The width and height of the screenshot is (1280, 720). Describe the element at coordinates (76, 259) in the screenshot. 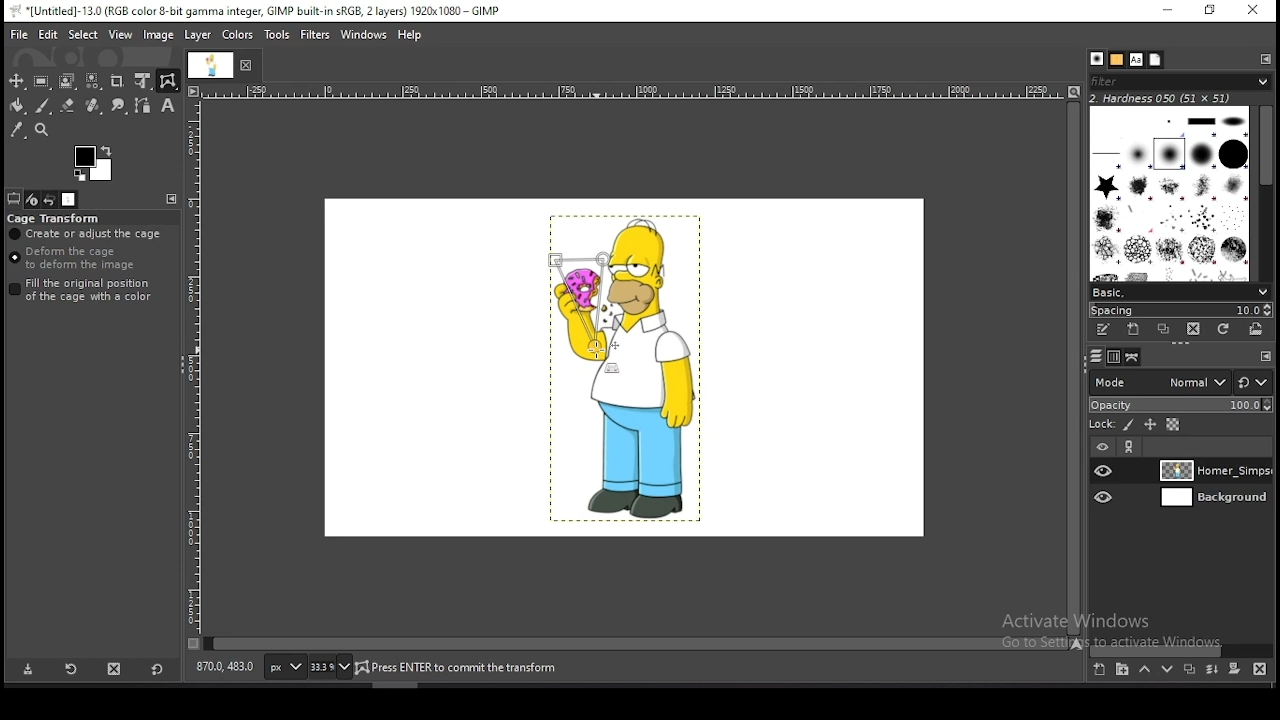

I see `deform the cage to deform the image` at that location.